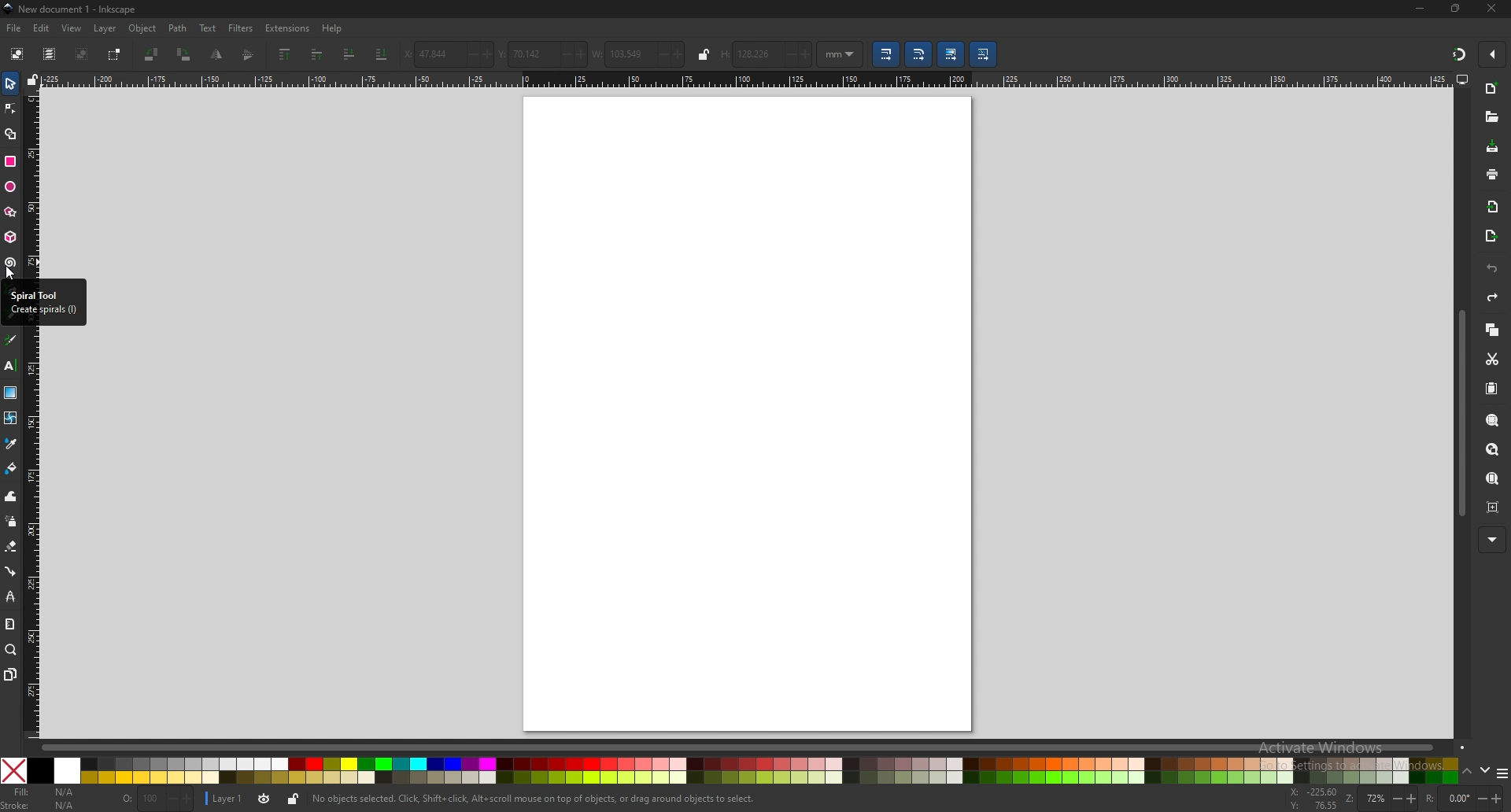 Image resolution: width=1511 pixels, height=812 pixels. I want to click on star polygon, so click(10, 212).